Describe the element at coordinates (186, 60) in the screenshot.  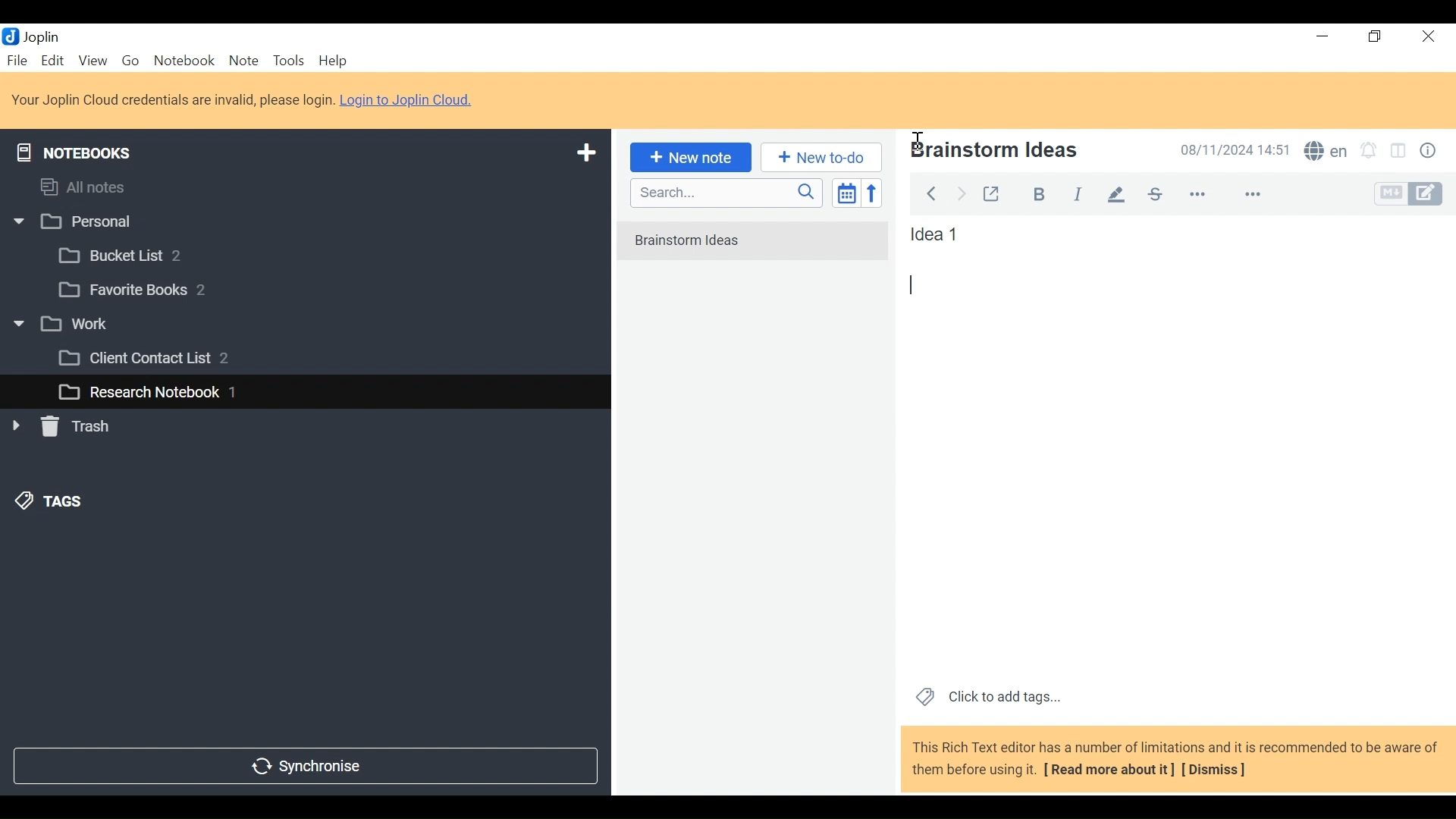
I see `Notebook` at that location.